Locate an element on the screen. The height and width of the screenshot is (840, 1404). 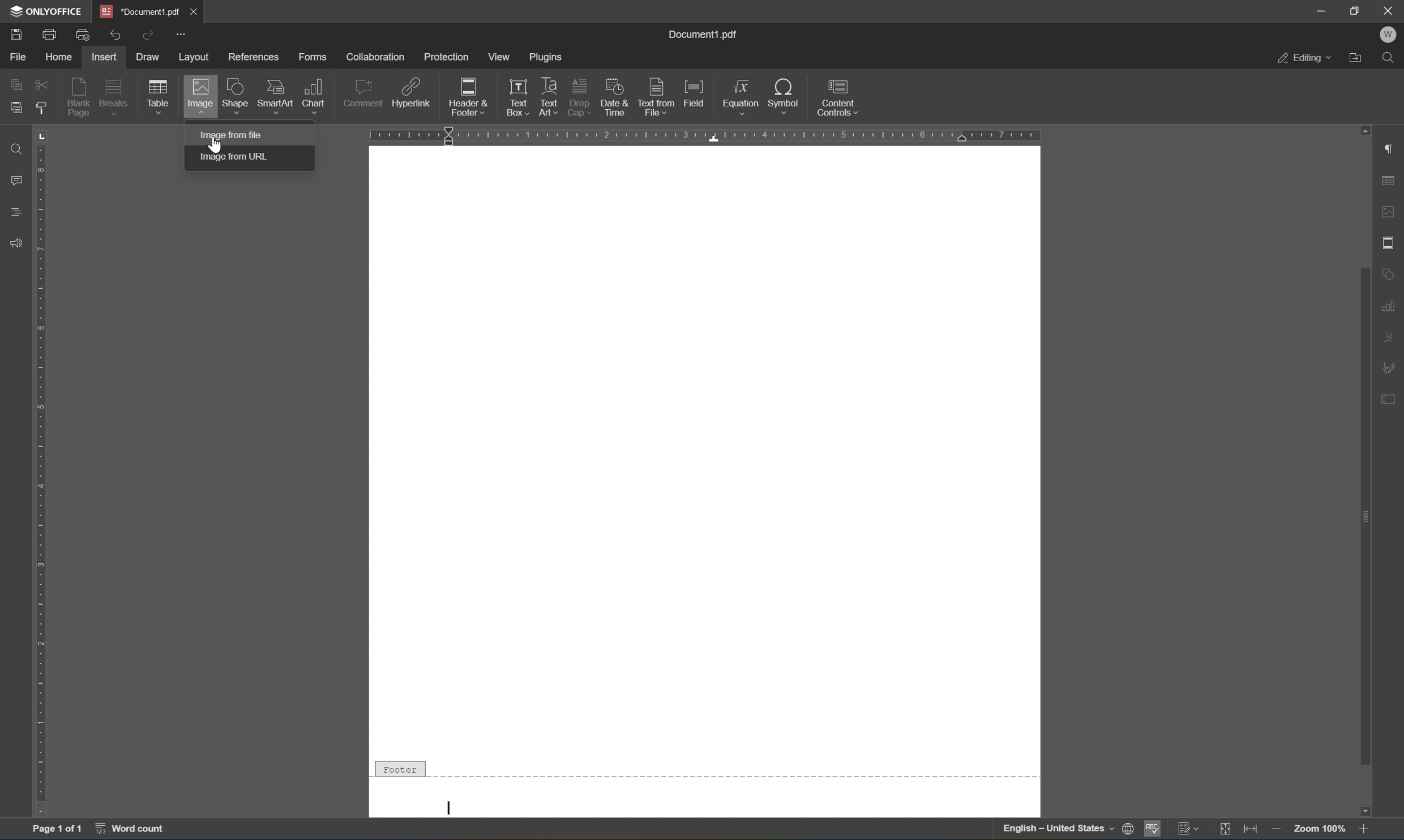
word count is located at coordinates (136, 829).